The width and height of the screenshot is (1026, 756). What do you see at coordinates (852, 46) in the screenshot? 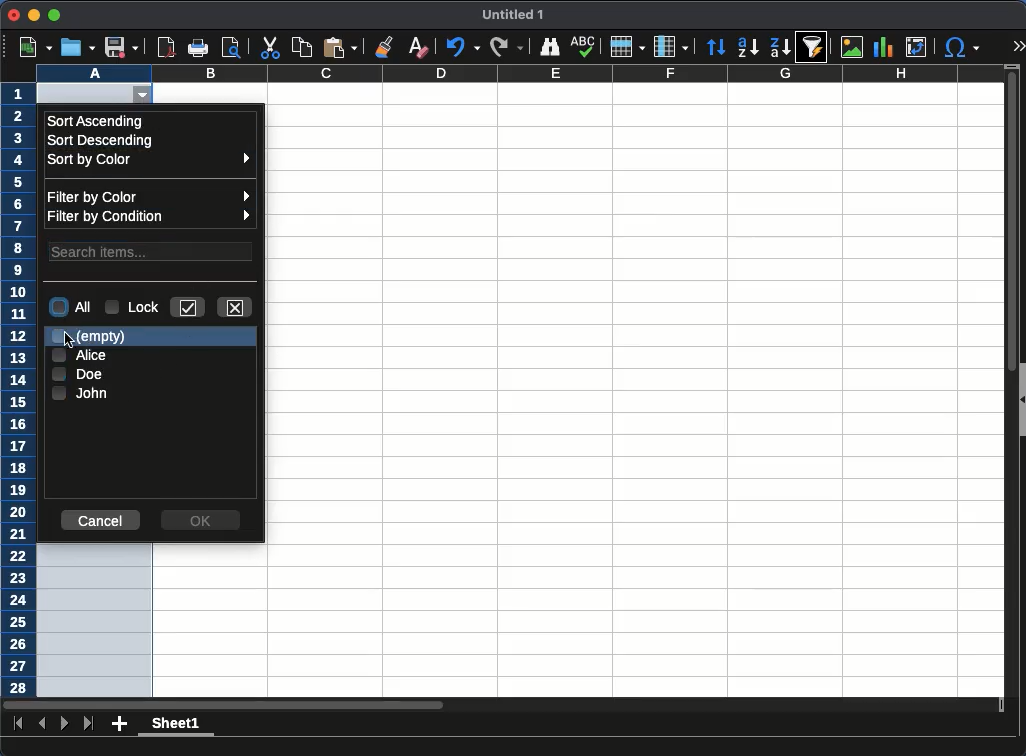
I see `image` at bounding box center [852, 46].